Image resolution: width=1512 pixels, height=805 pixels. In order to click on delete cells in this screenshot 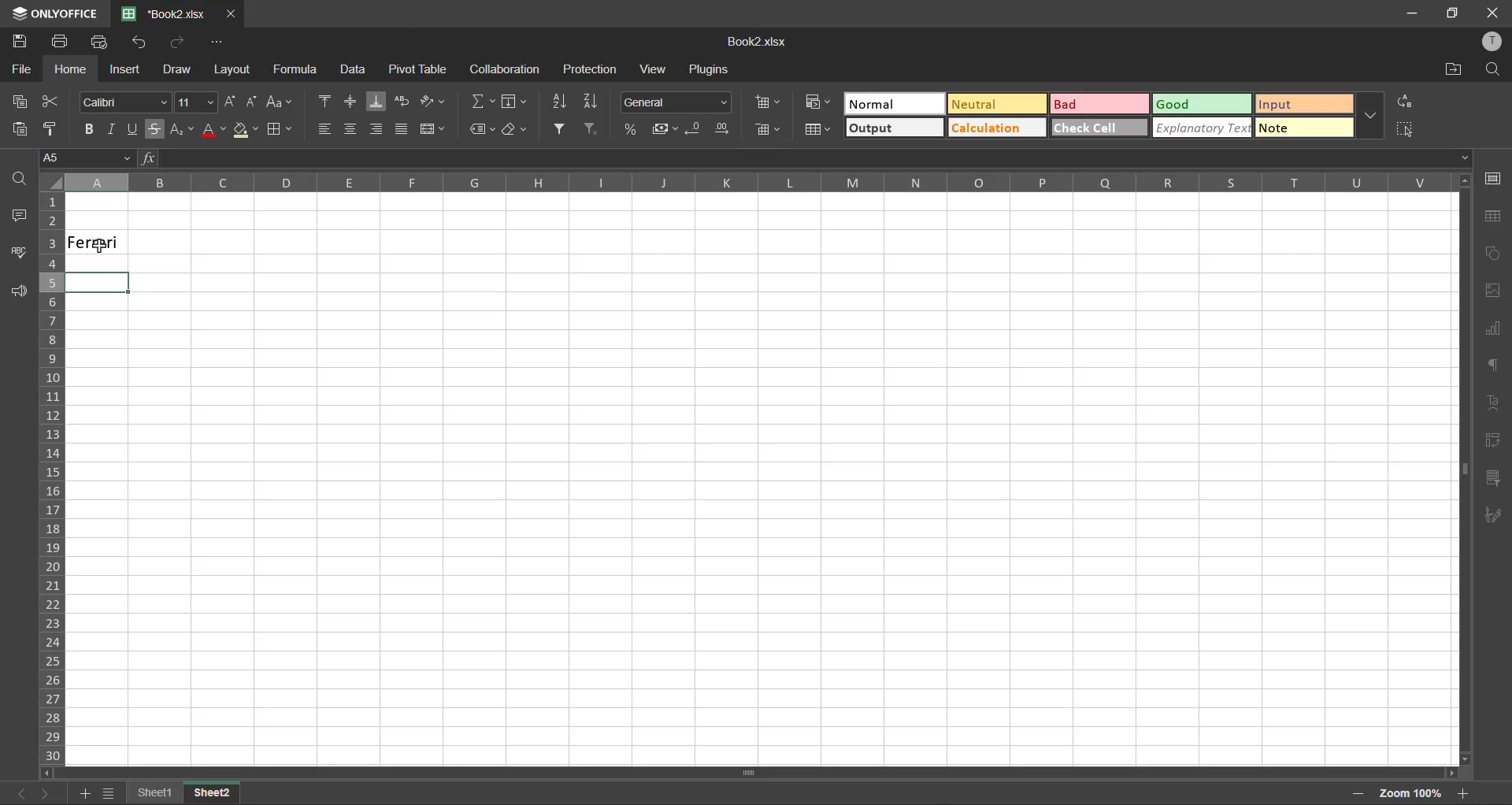, I will do `click(769, 131)`.